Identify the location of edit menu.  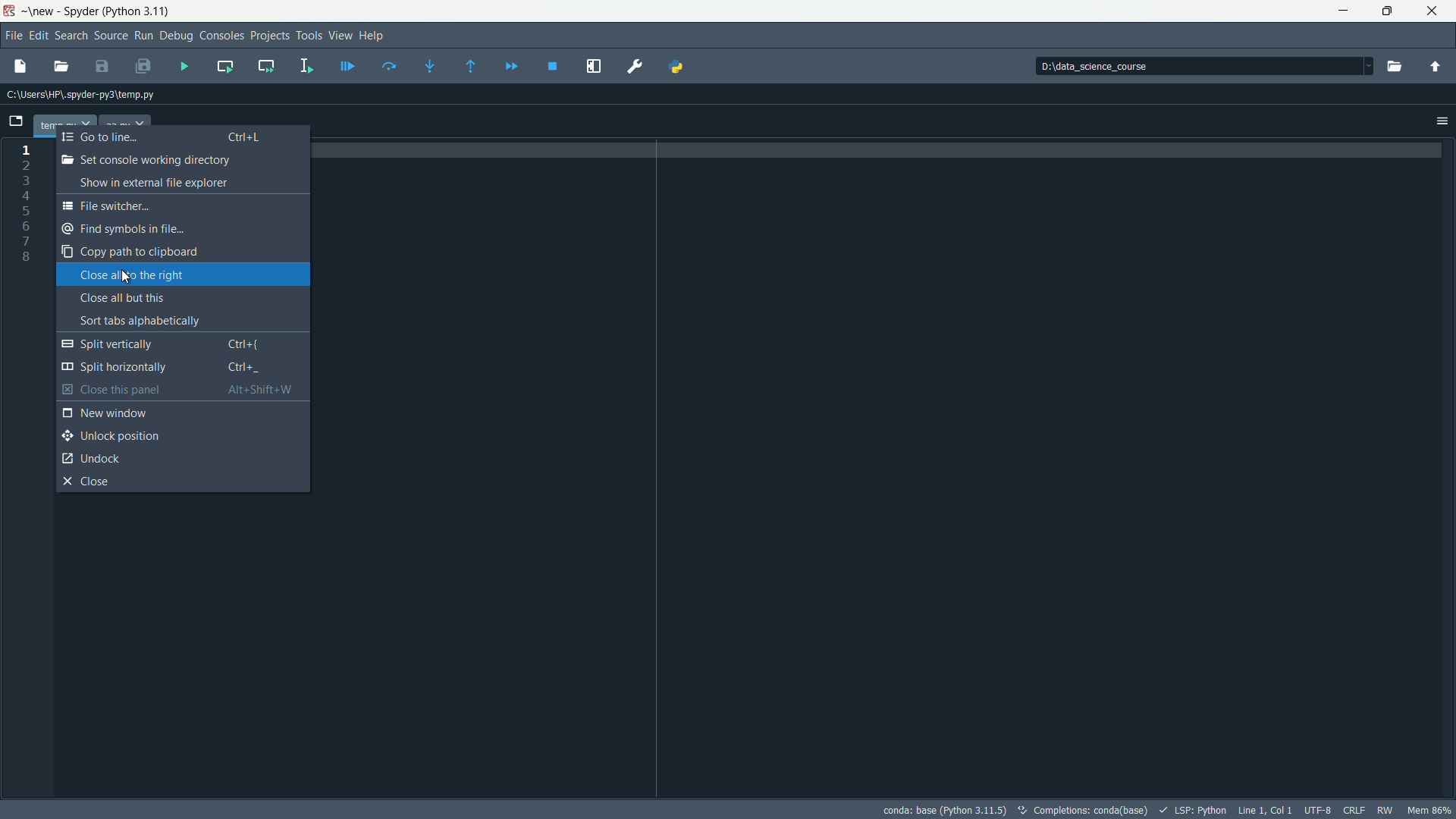
(39, 35).